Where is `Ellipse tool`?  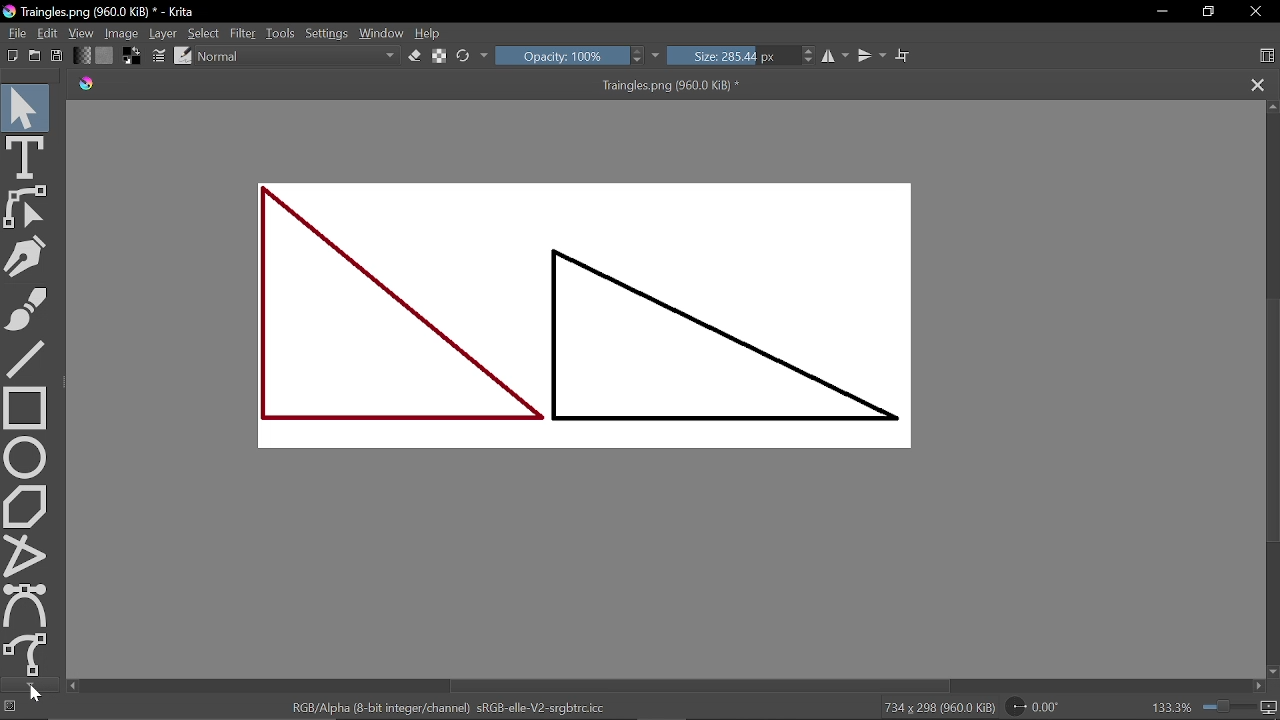
Ellipse tool is located at coordinates (27, 458).